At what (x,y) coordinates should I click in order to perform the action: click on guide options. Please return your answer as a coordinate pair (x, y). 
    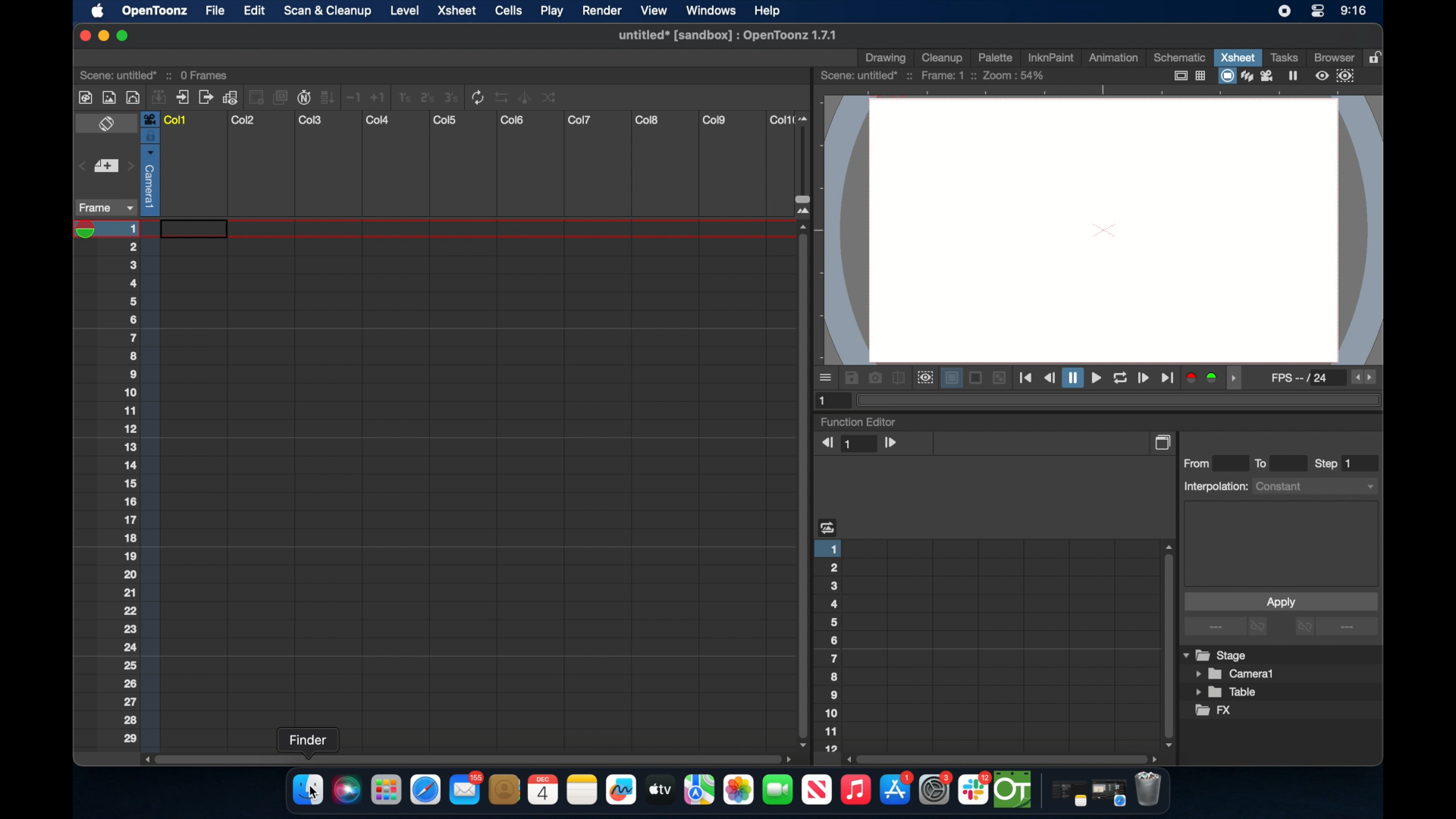
    Looking at the image, I should click on (1188, 76).